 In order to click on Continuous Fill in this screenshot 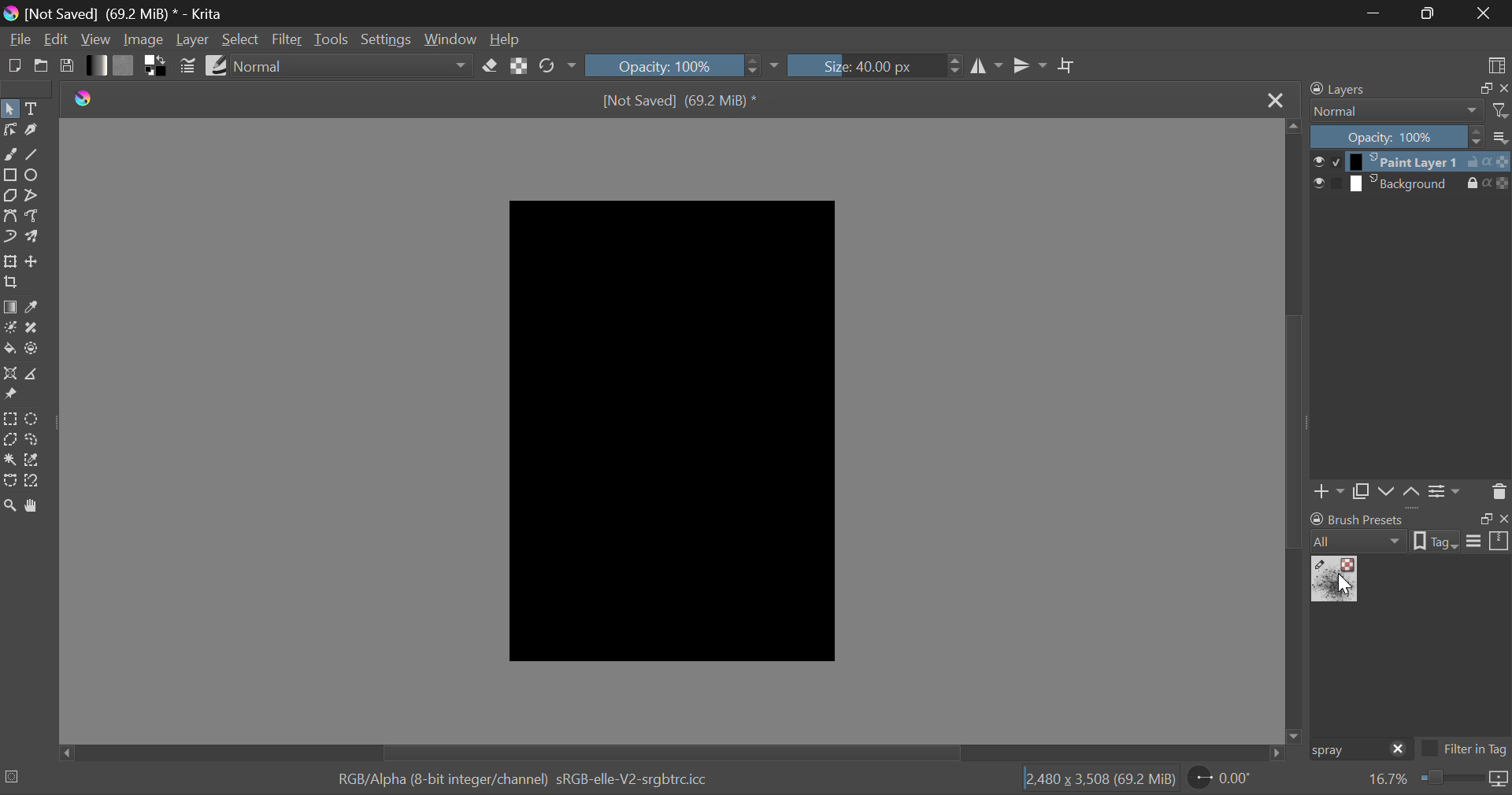, I will do `click(9, 458)`.